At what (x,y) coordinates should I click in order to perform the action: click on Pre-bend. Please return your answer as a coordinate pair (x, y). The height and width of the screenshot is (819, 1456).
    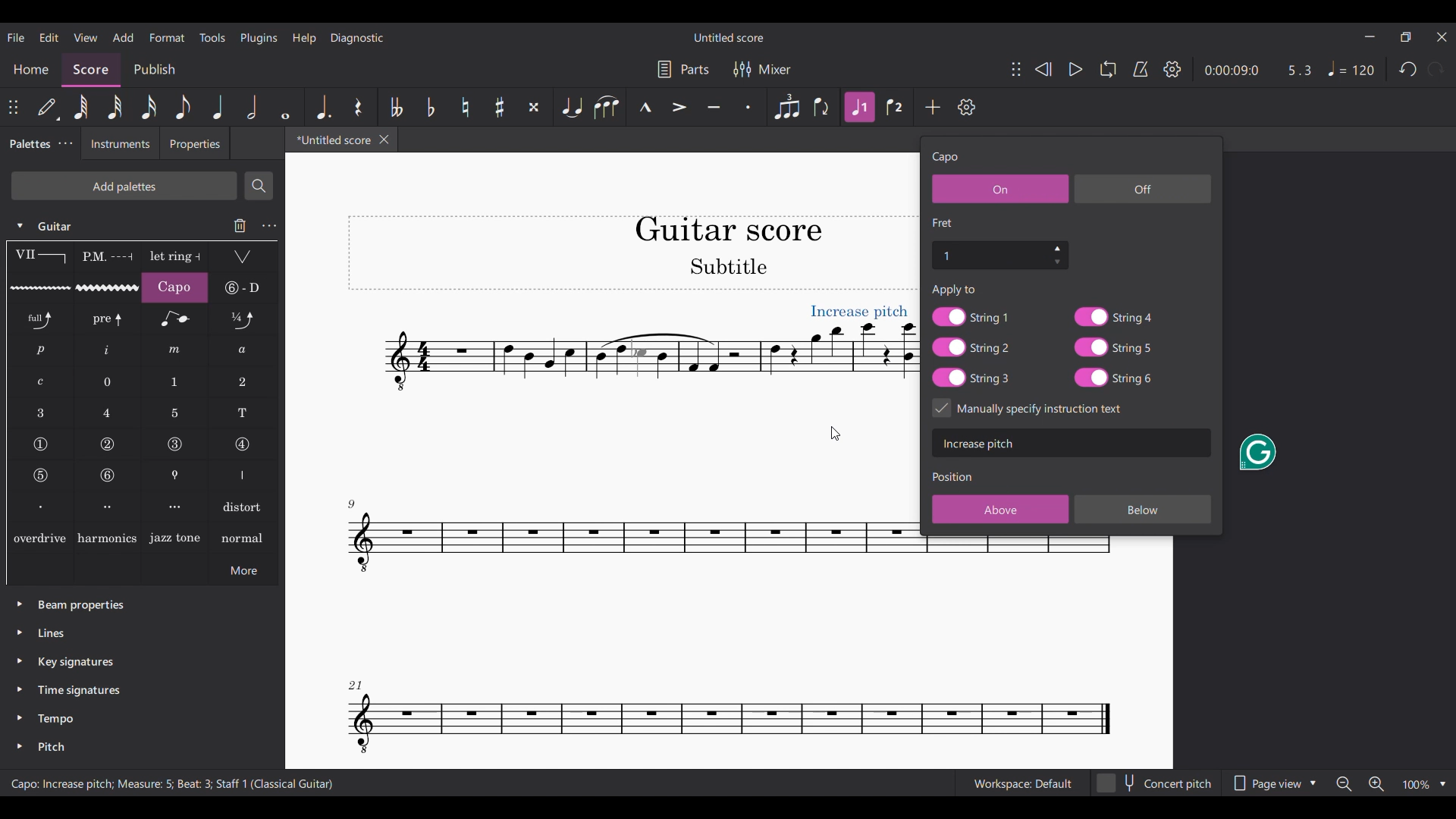
    Looking at the image, I should click on (108, 319).